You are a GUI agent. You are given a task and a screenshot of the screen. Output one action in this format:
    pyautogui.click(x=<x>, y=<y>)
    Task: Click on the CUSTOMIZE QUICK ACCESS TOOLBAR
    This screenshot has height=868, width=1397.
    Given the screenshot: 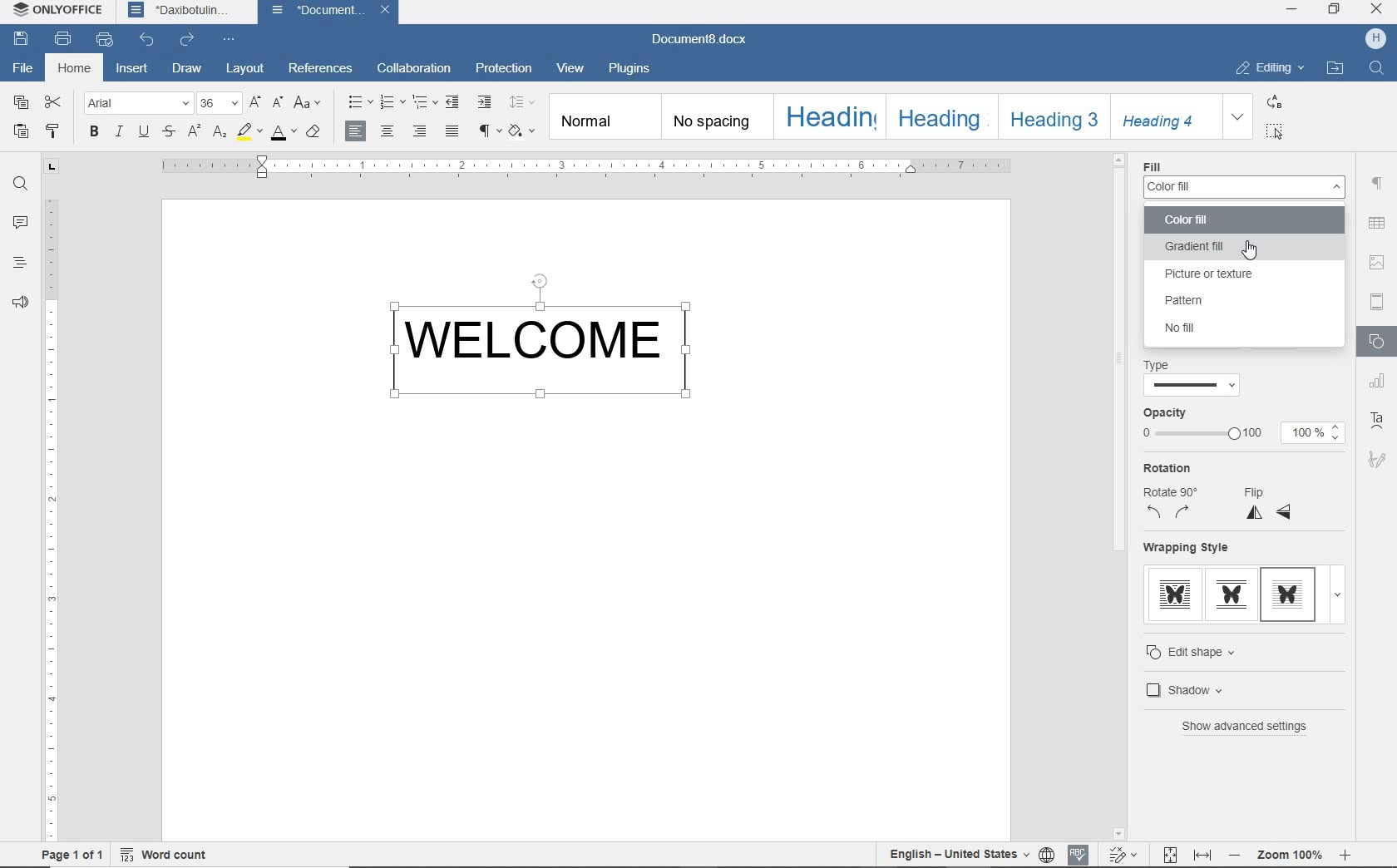 What is the action you would take?
    pyautogui.click(x=230, y=41)
    